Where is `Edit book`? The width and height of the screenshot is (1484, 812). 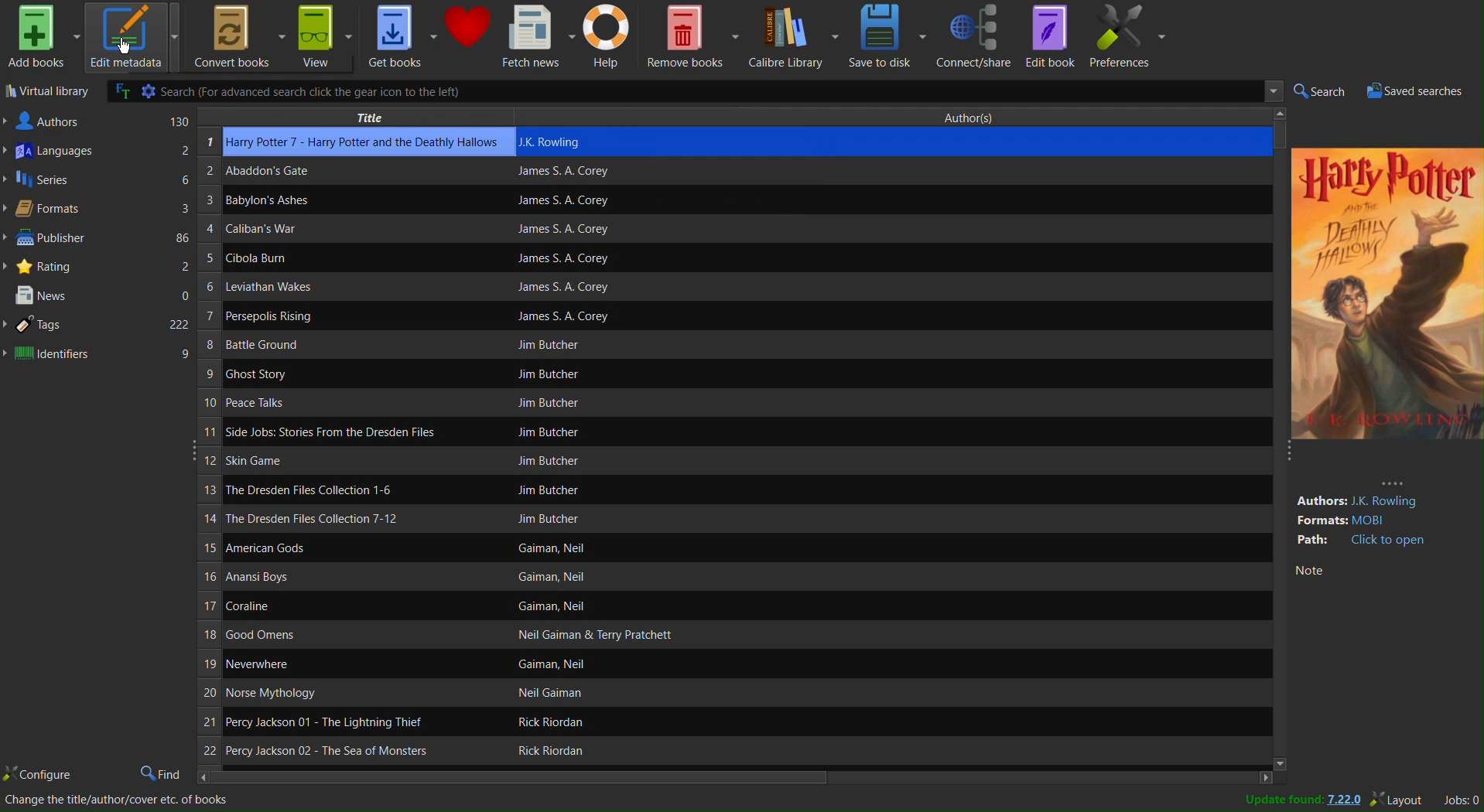 Edit book is located at coordinates (1052, 36).